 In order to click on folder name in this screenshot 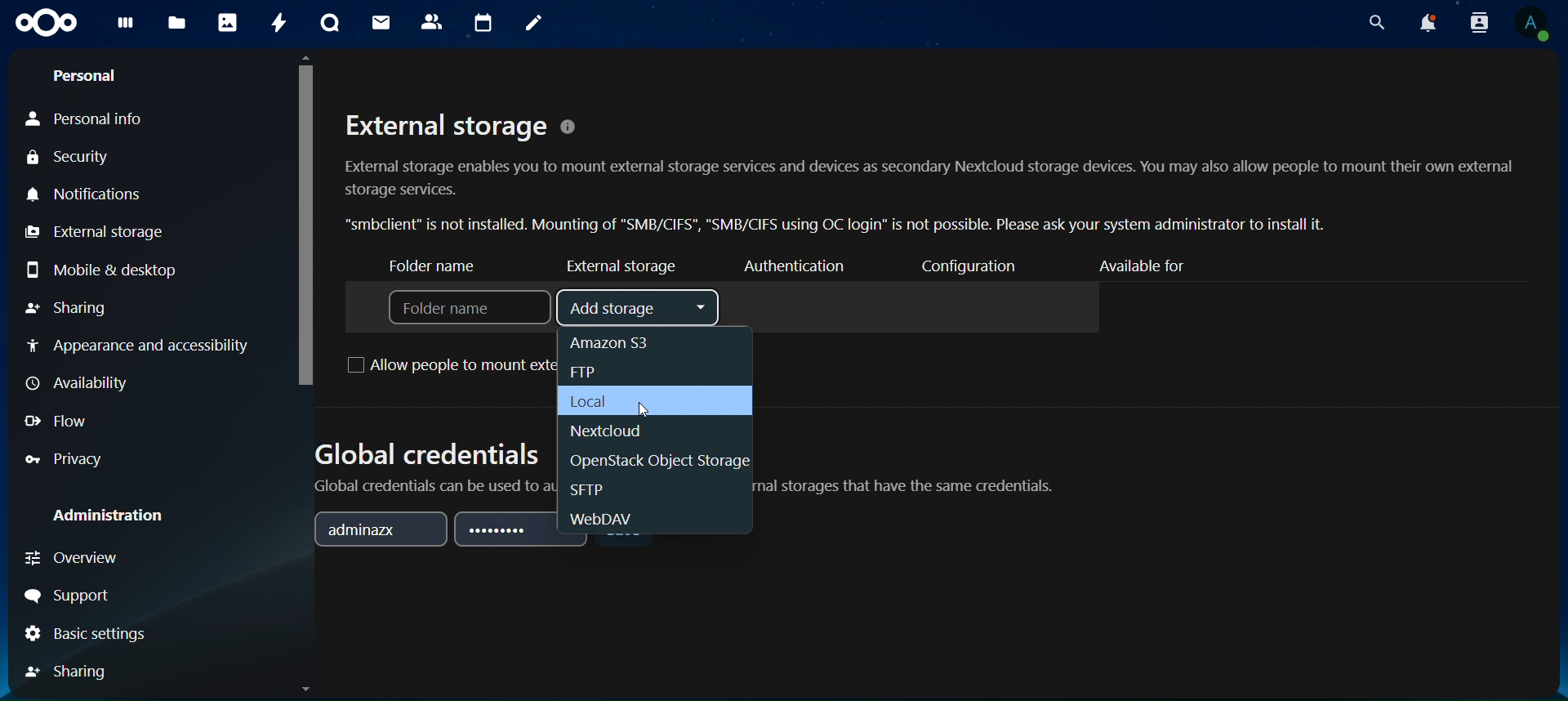, I will do `click(440, 267)`.